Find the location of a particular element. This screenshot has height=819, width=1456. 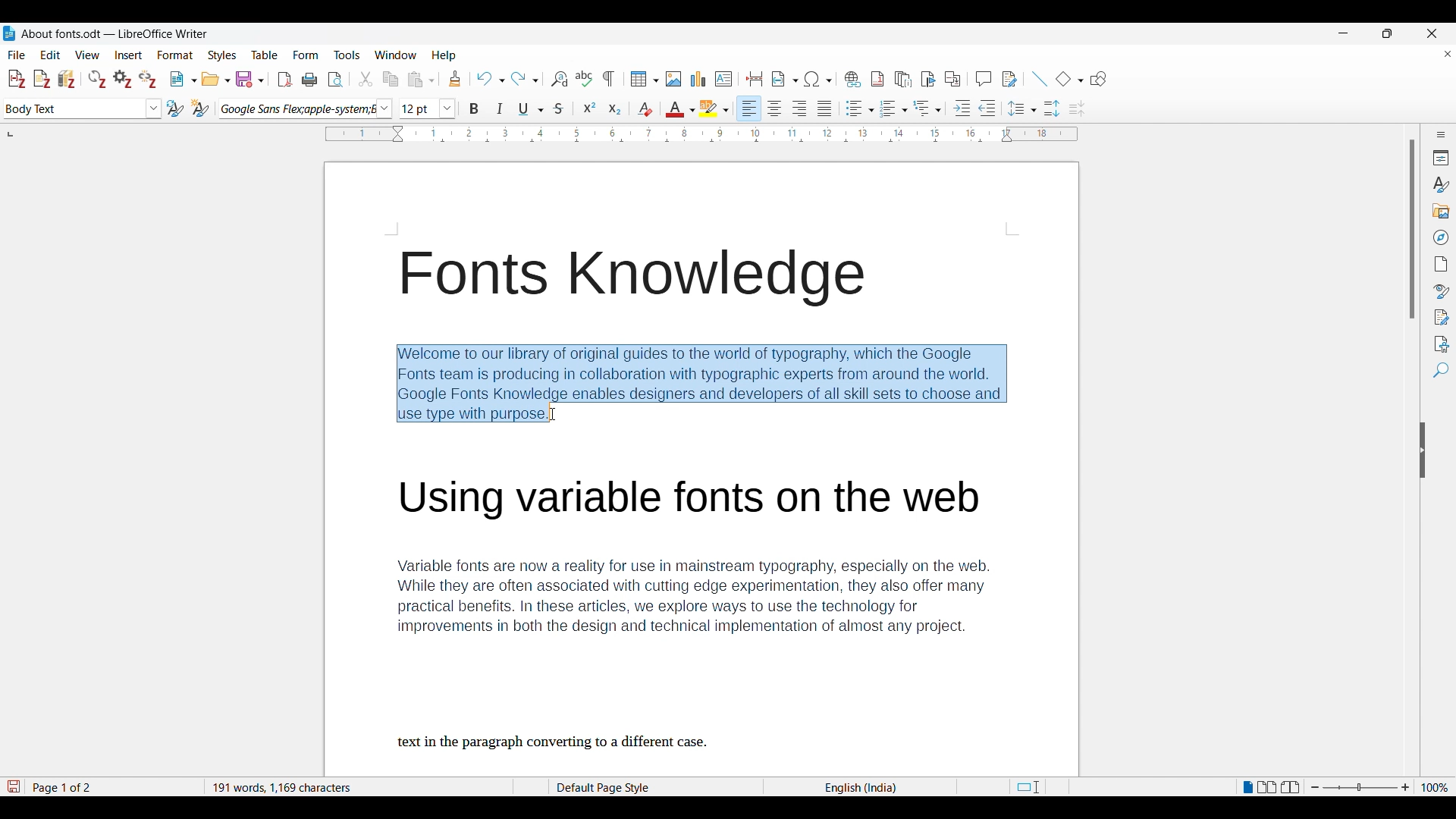

Save options is located at coordinates (249, 80).